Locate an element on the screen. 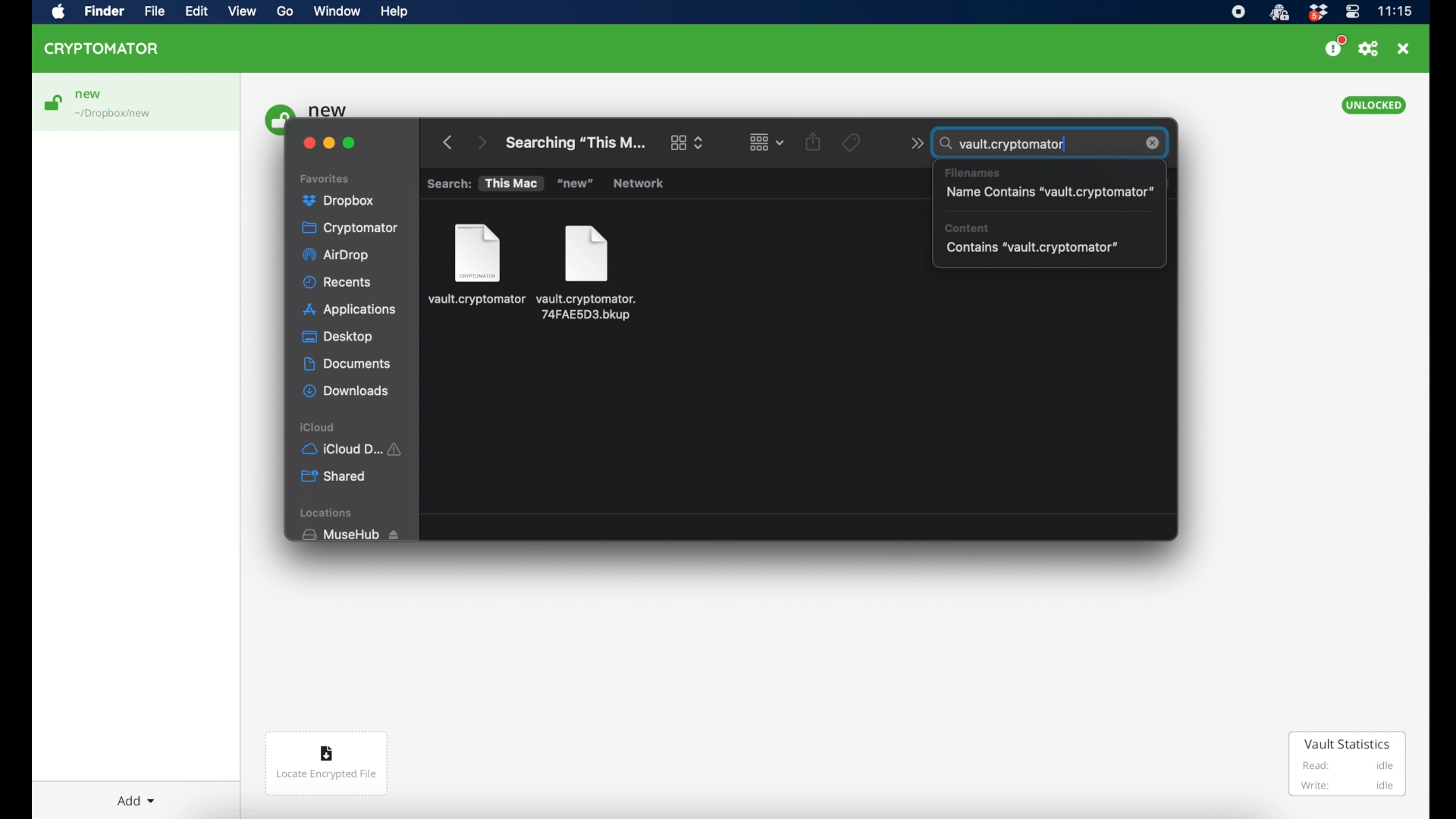 This screenshot has width=1456, height=819. edit is located at coordinates (196, 11).